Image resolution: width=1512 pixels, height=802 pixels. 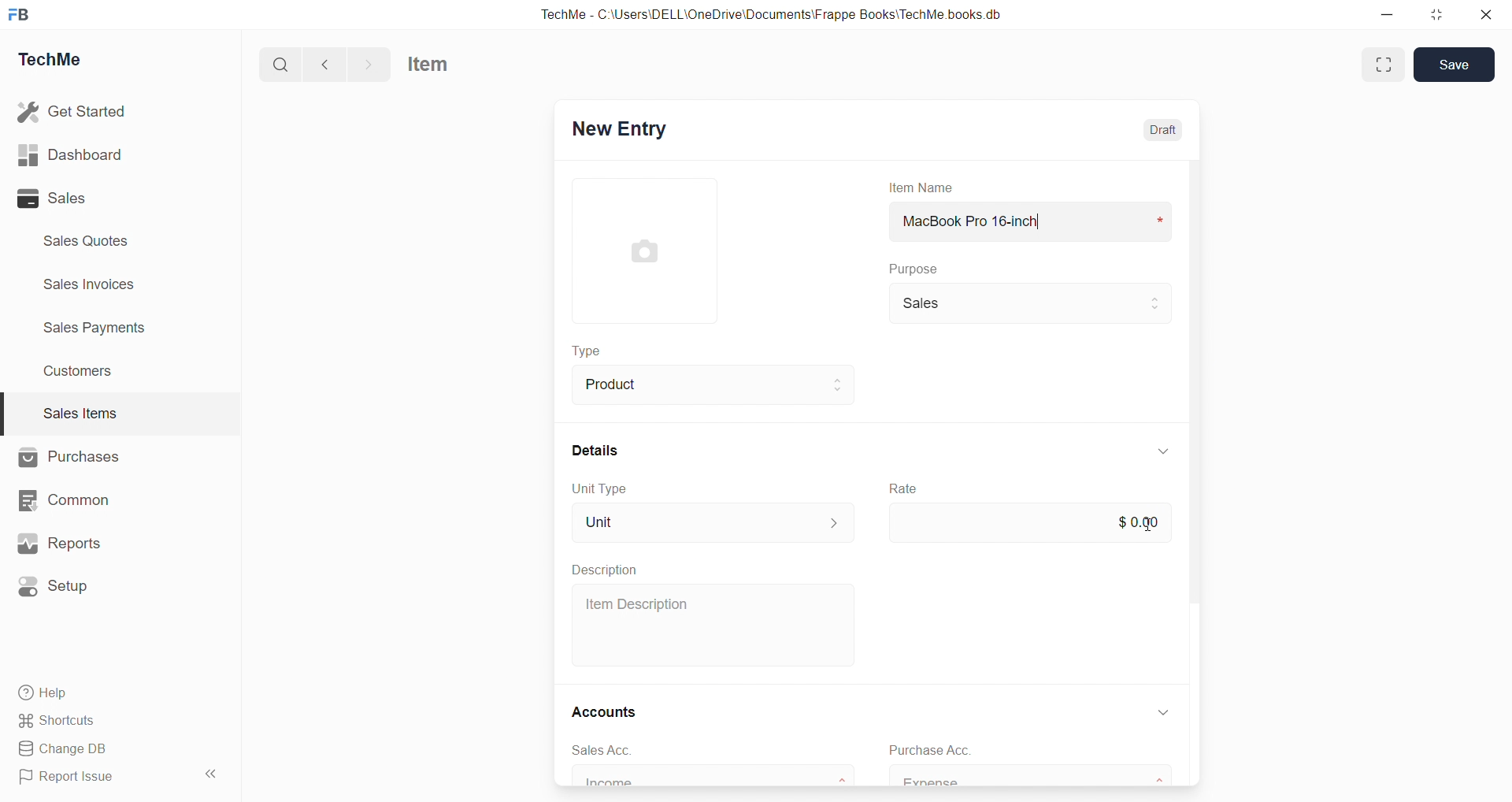 I want to click on Sales, so click(x=54, y=199).